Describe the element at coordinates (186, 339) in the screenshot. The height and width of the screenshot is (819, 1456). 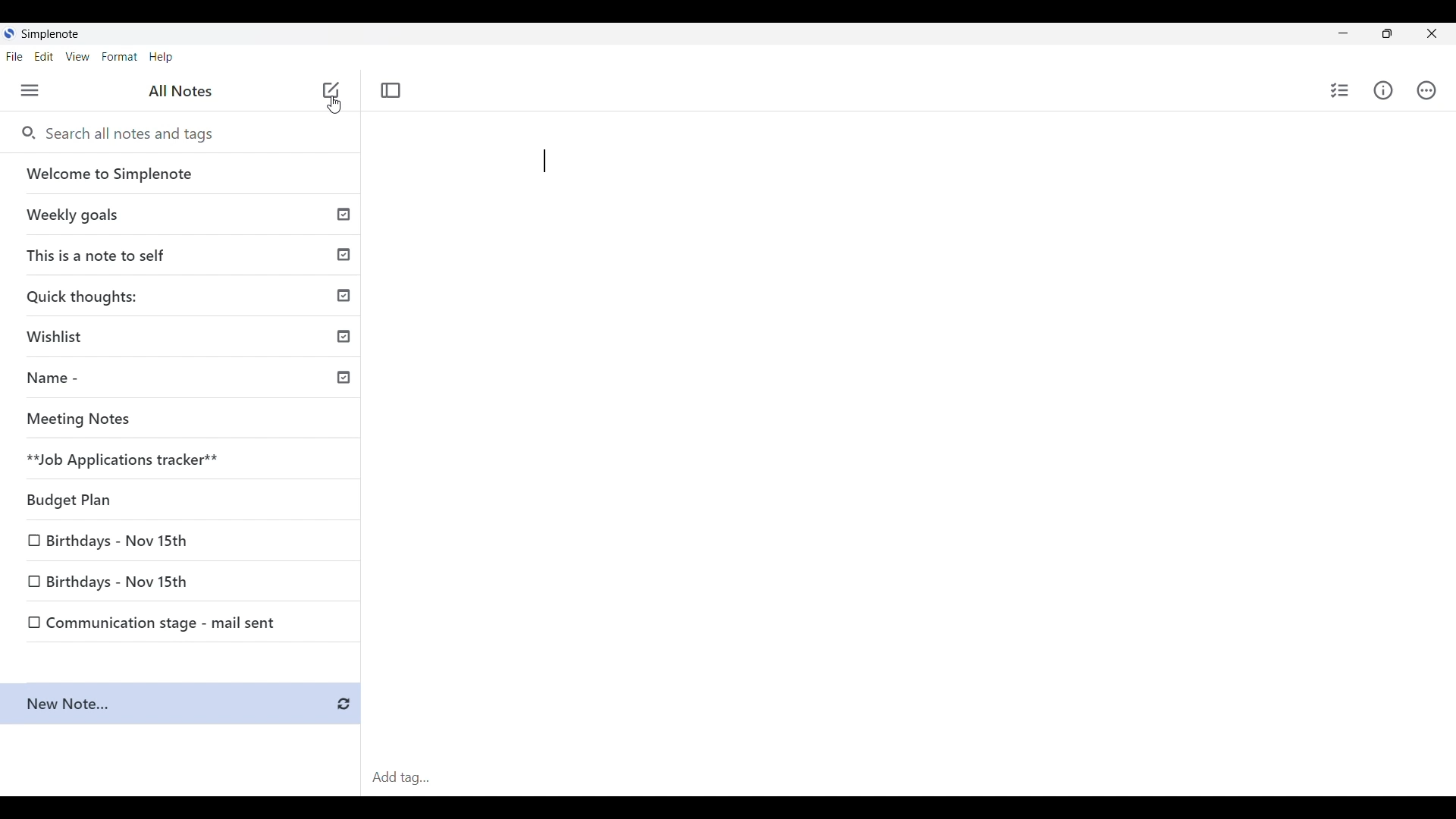
I see `Wishlist` at that location.